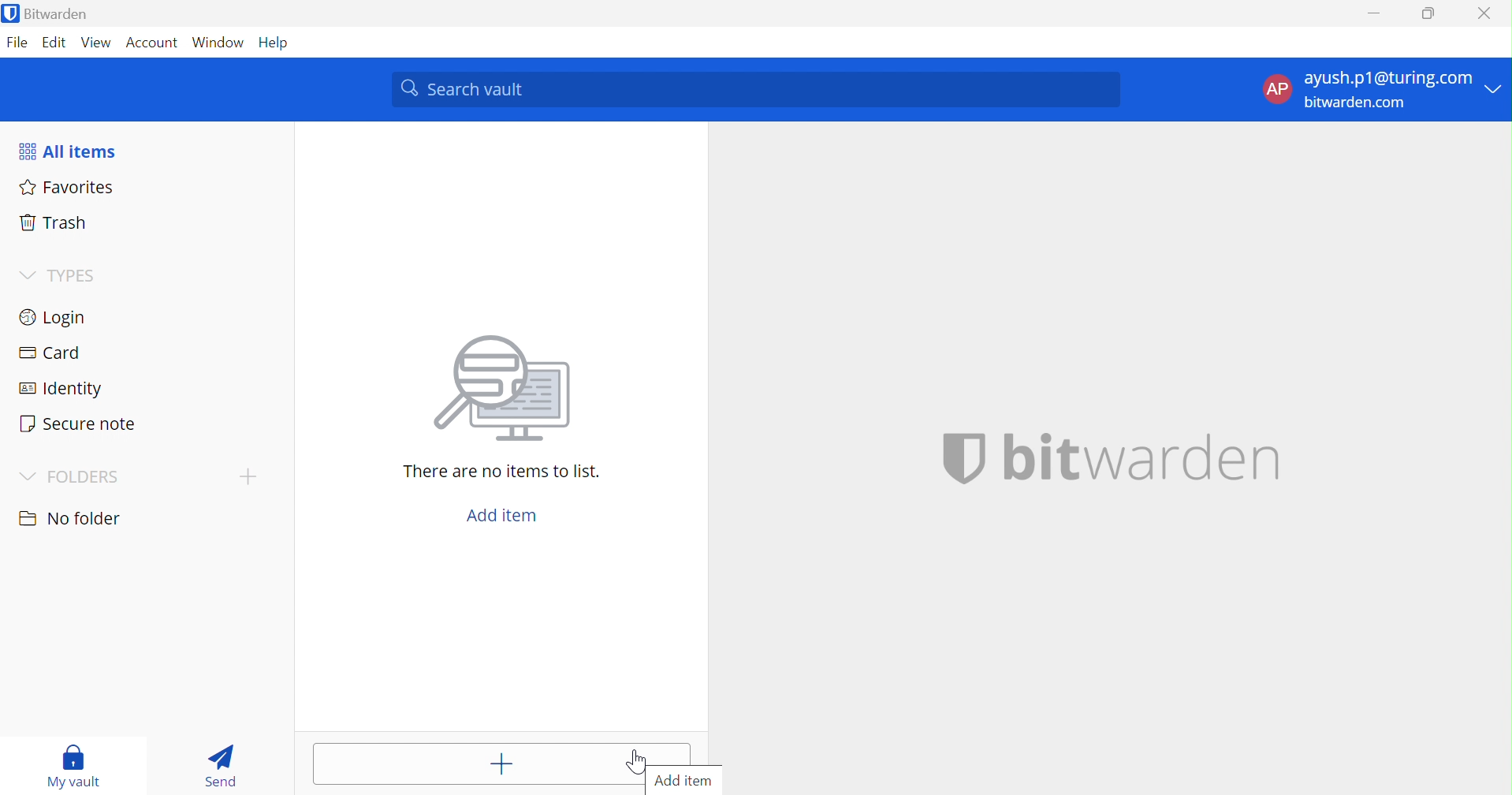 This screenshot has width=1512, height=795. I want to click on Add item, so click(685, 779).